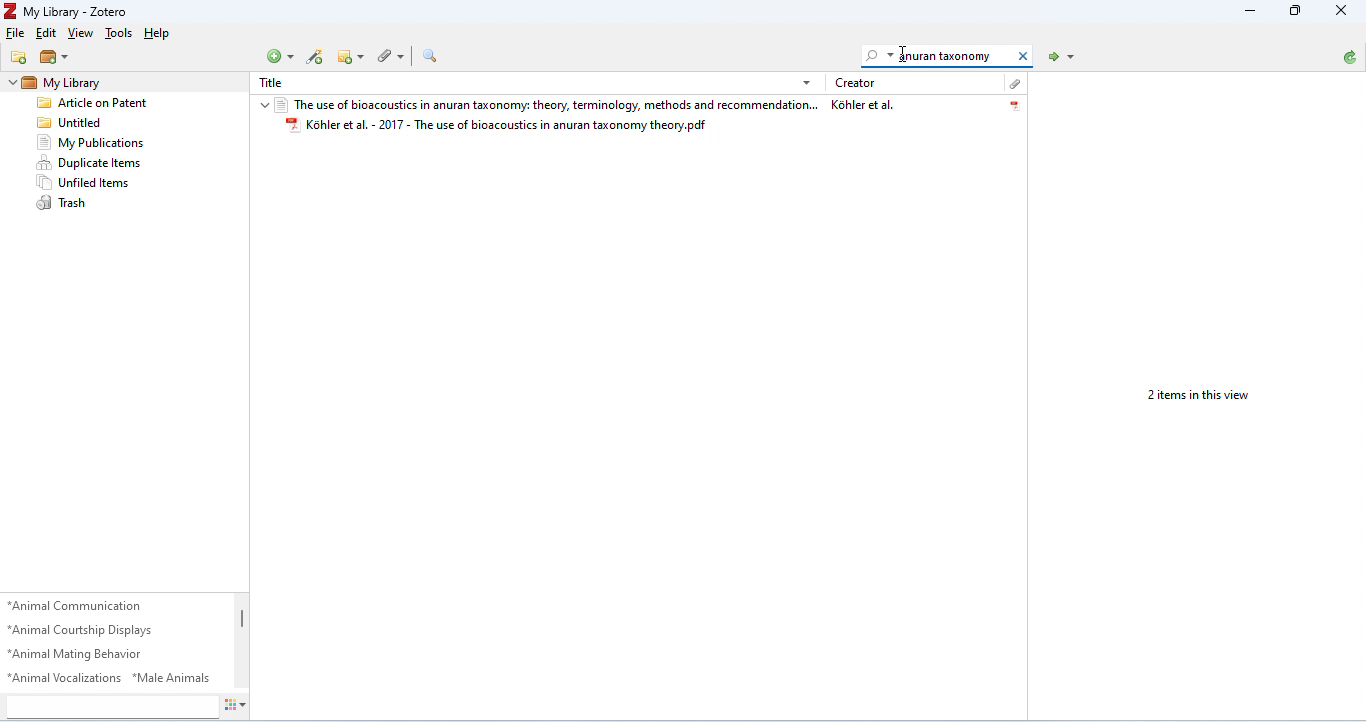 The image size is (1366, 722). What do you see at coordinates (1344, 10) in the screenshot?
I see `Close` at bounding box center [1344, 10].